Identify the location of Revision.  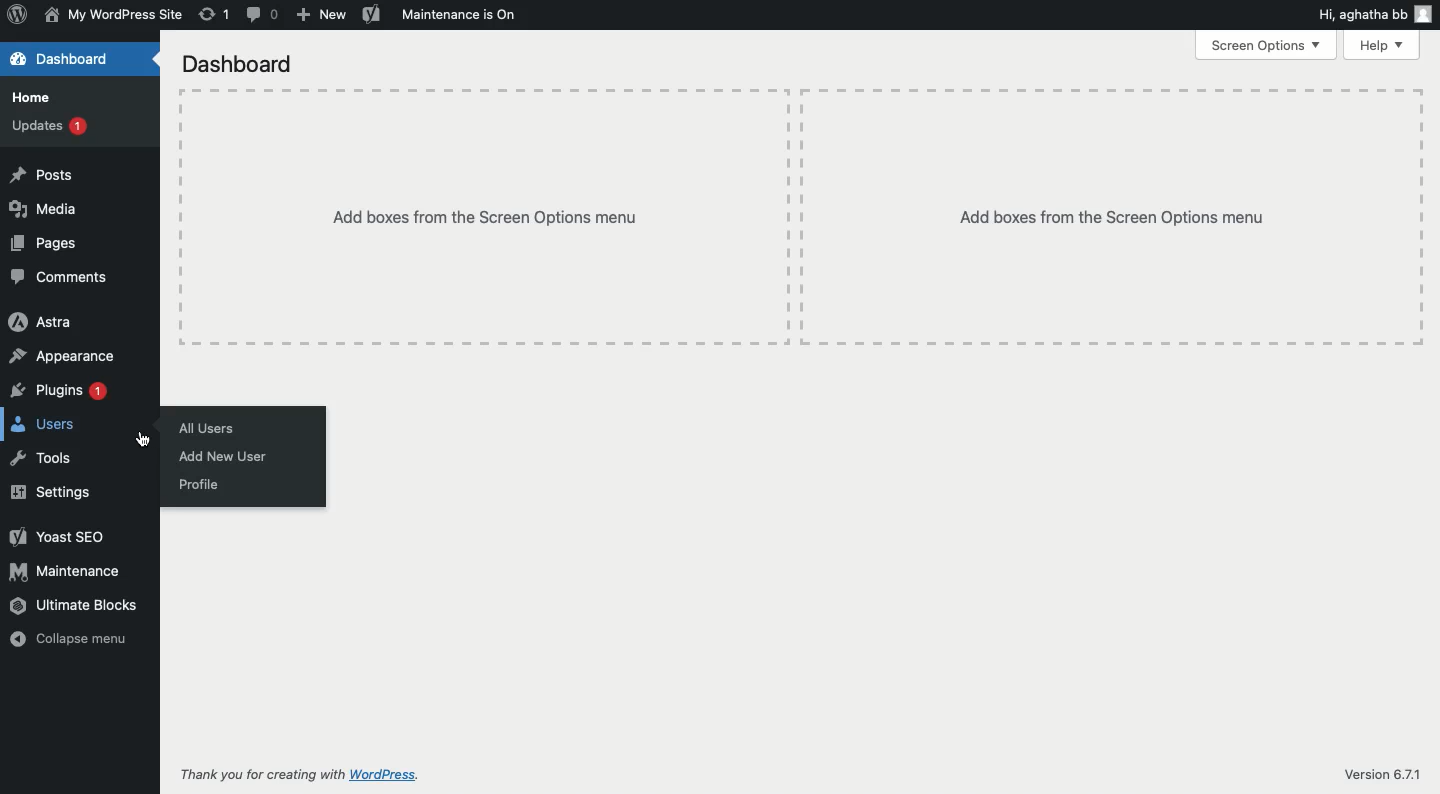
(214, 14).